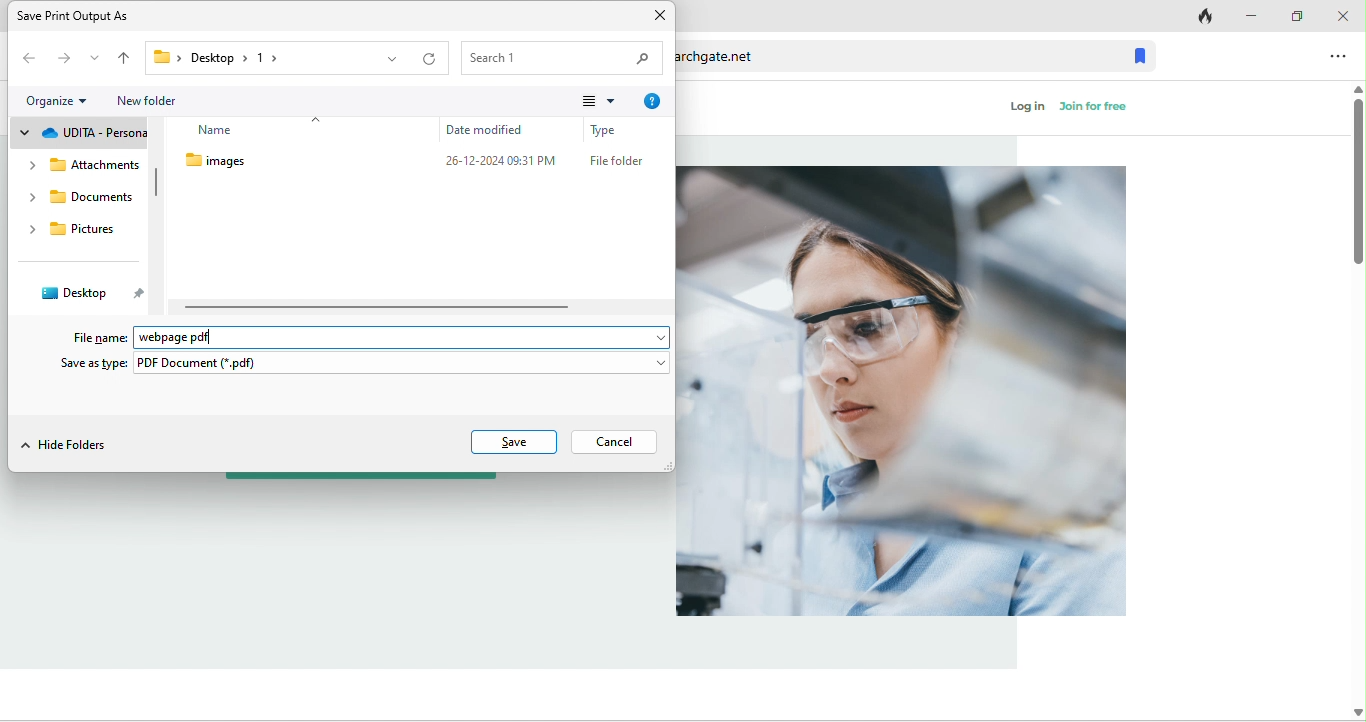 The image size is (1366, 722). What do you see at coordinates (656, 17) in the screenshot?
I see `close` at bounding box center [656, 17].